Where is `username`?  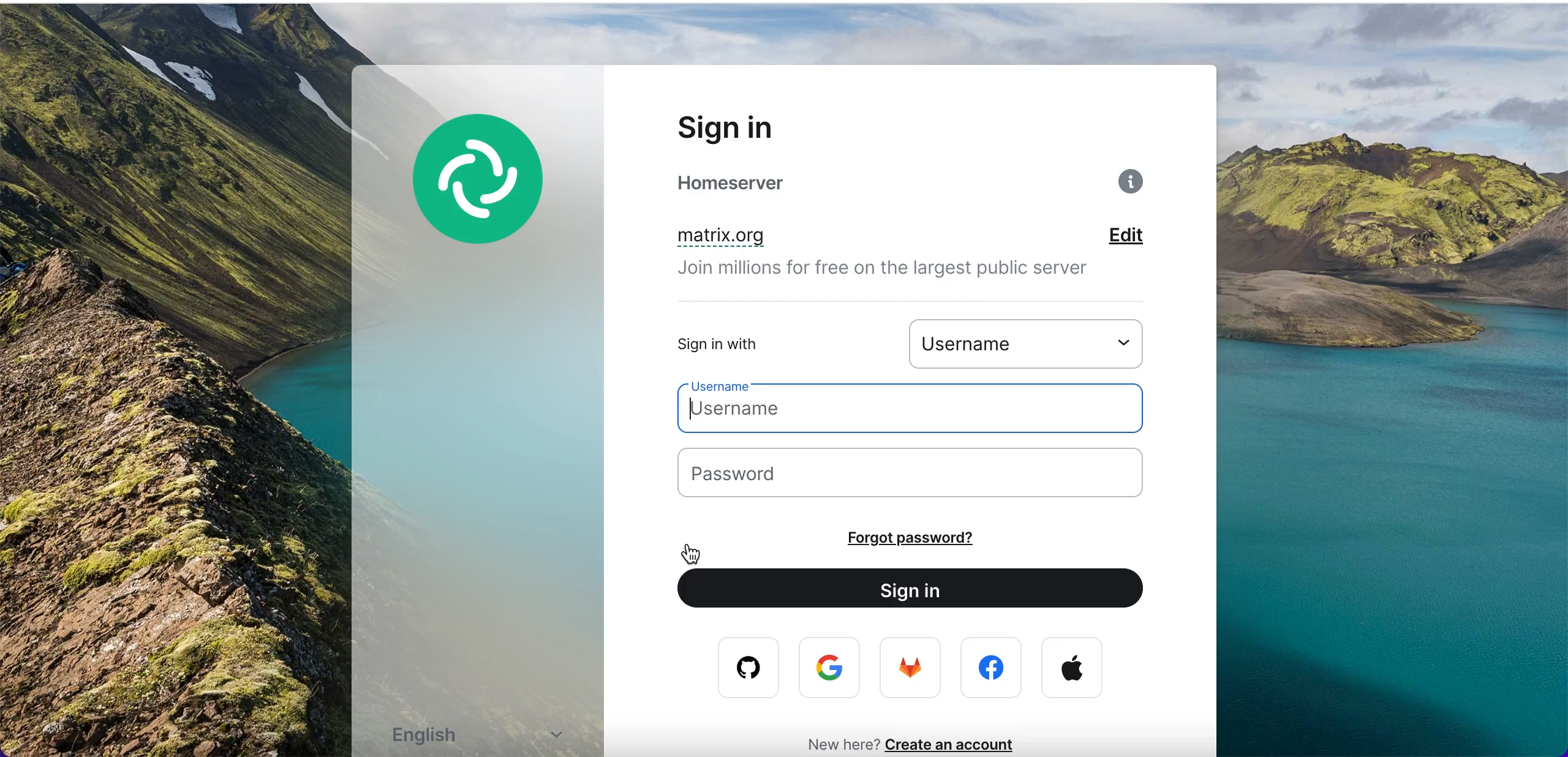 username is located at coordinates (1034, 342).